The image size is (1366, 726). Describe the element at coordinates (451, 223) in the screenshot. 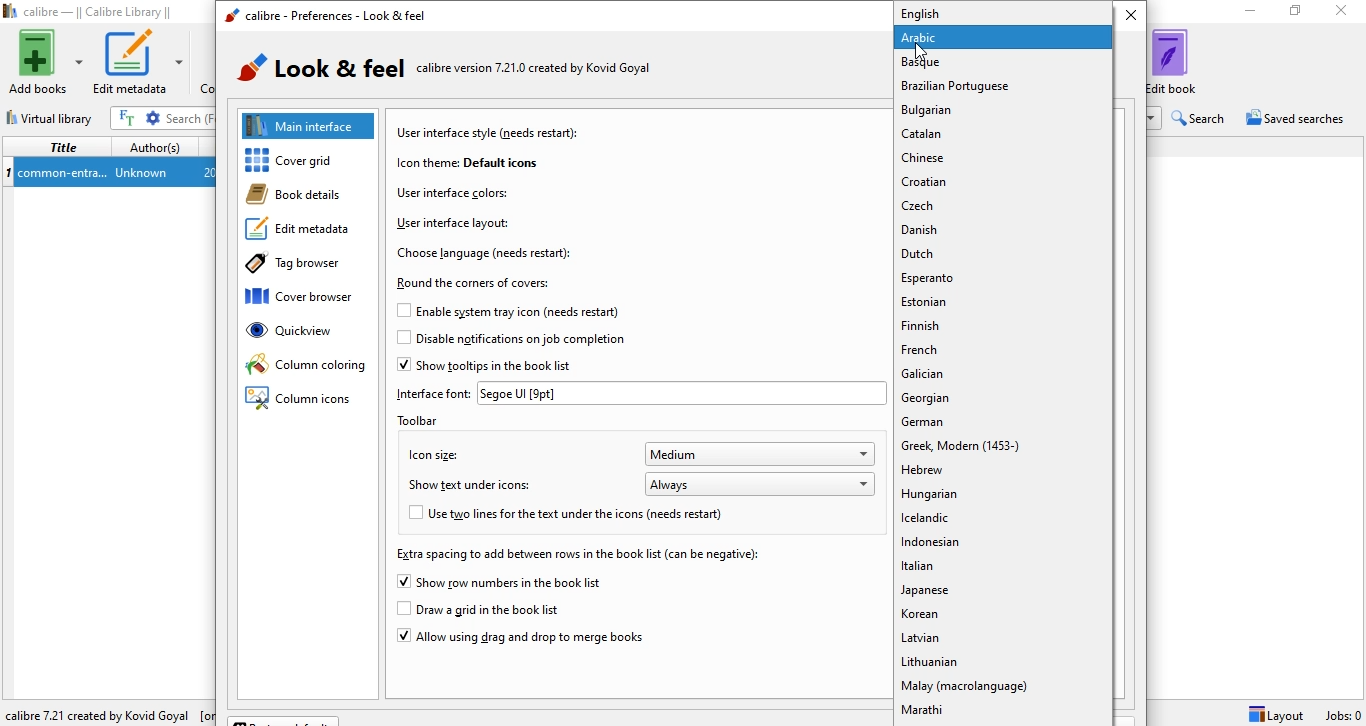

I see `user interface layout` at that location.